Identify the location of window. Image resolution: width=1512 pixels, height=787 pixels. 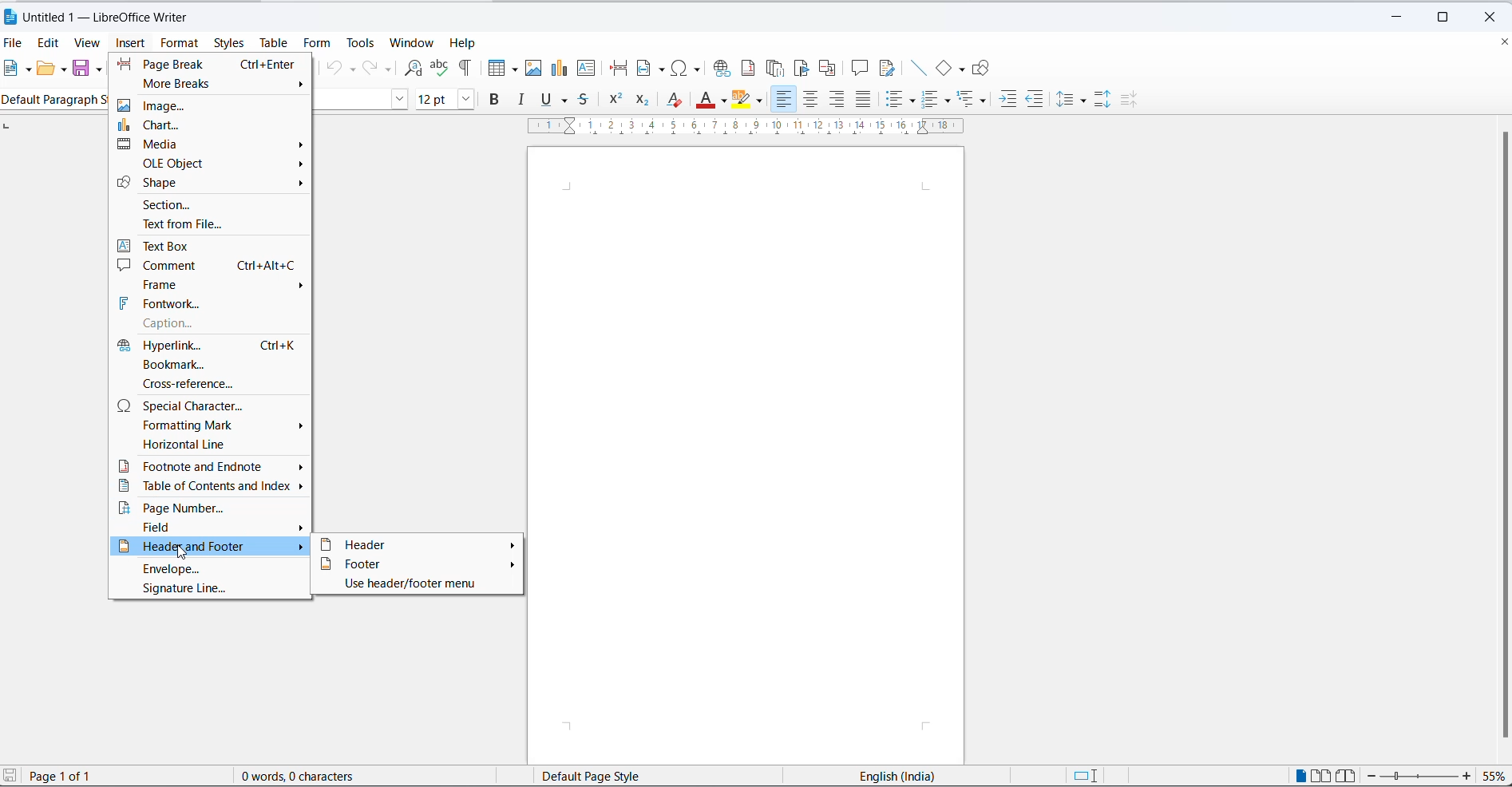
(415, 43).